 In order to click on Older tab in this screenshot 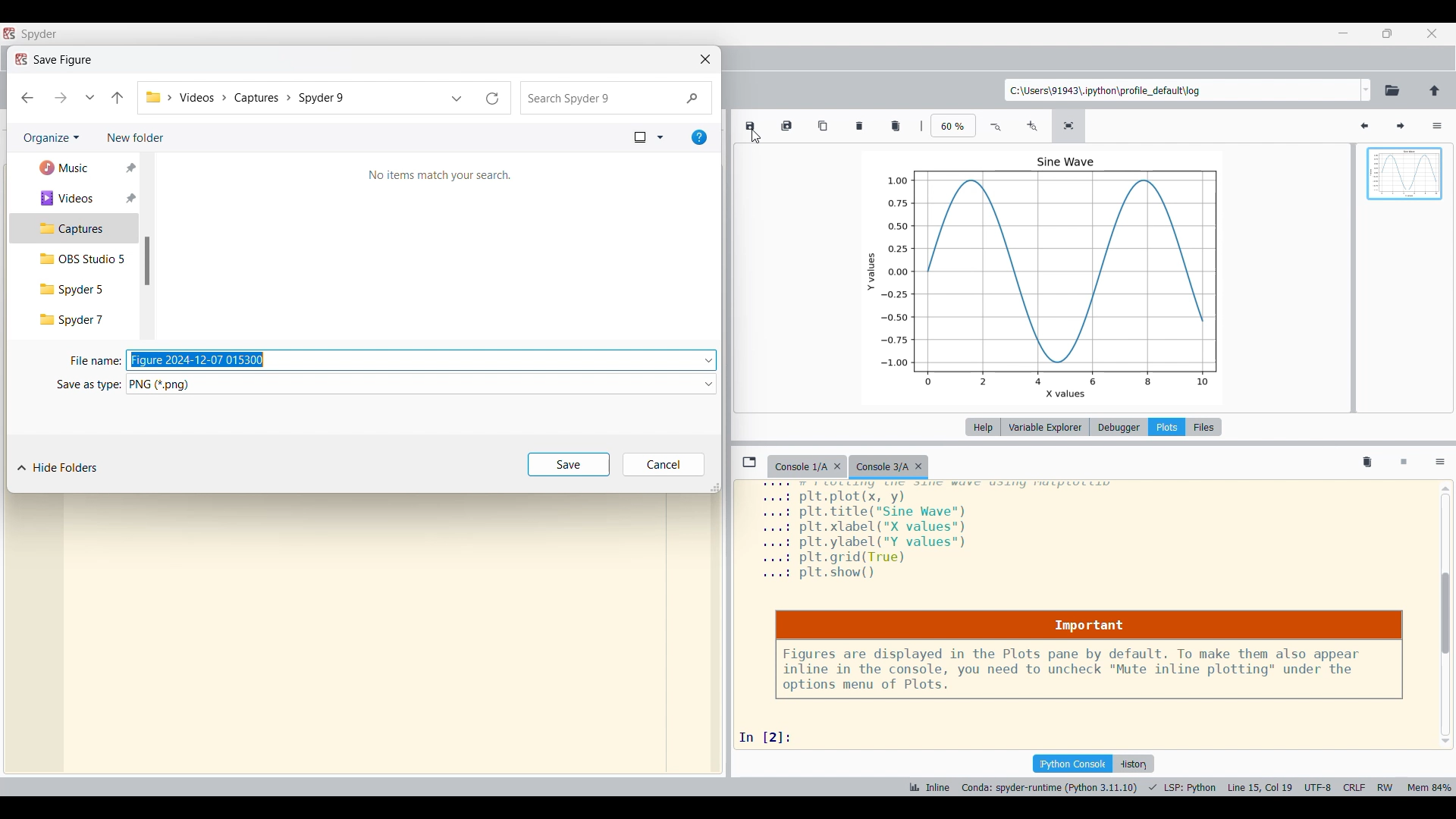, I will do `click(807, 467)`.